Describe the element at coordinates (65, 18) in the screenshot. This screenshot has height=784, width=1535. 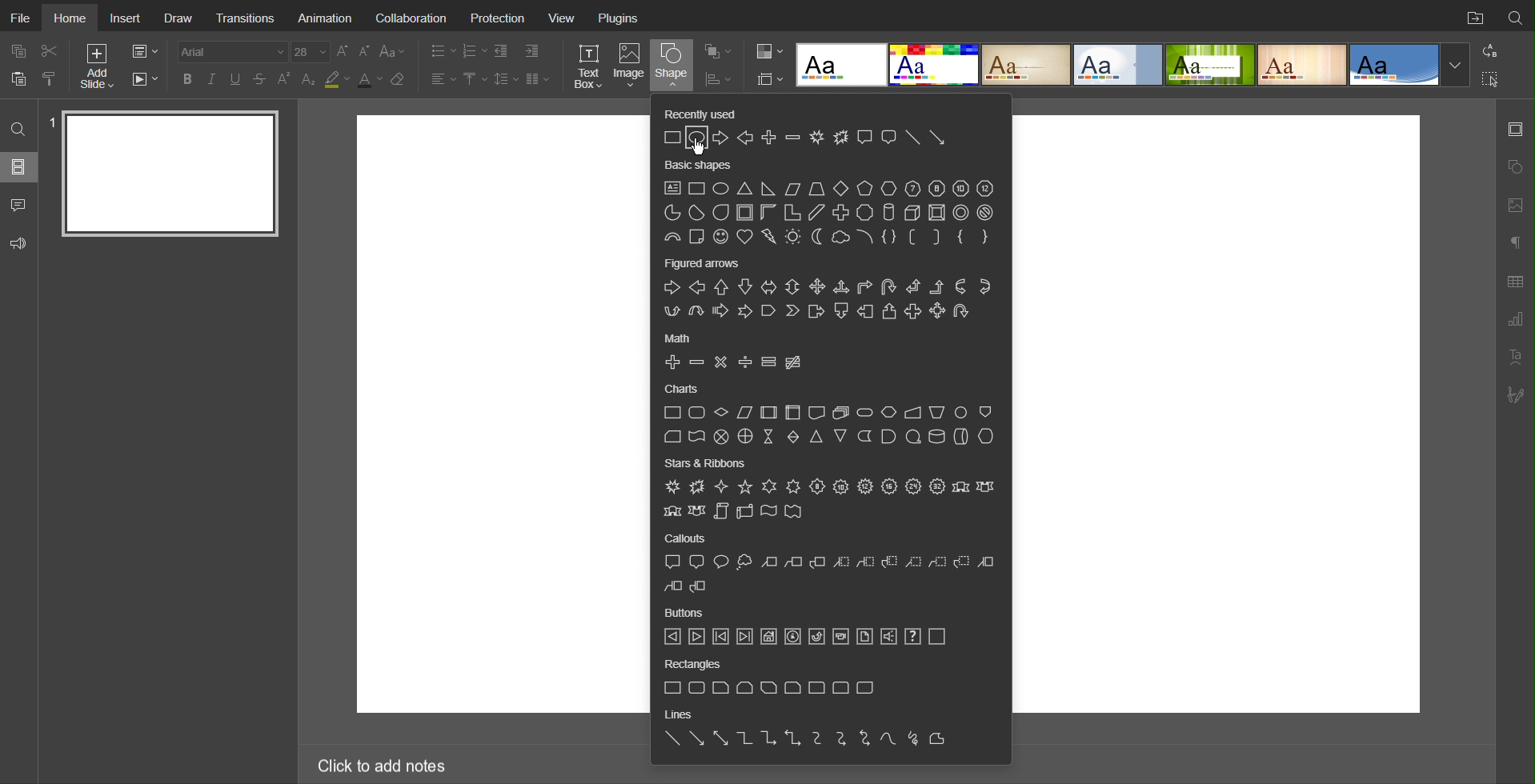
I see `Home` at that location.